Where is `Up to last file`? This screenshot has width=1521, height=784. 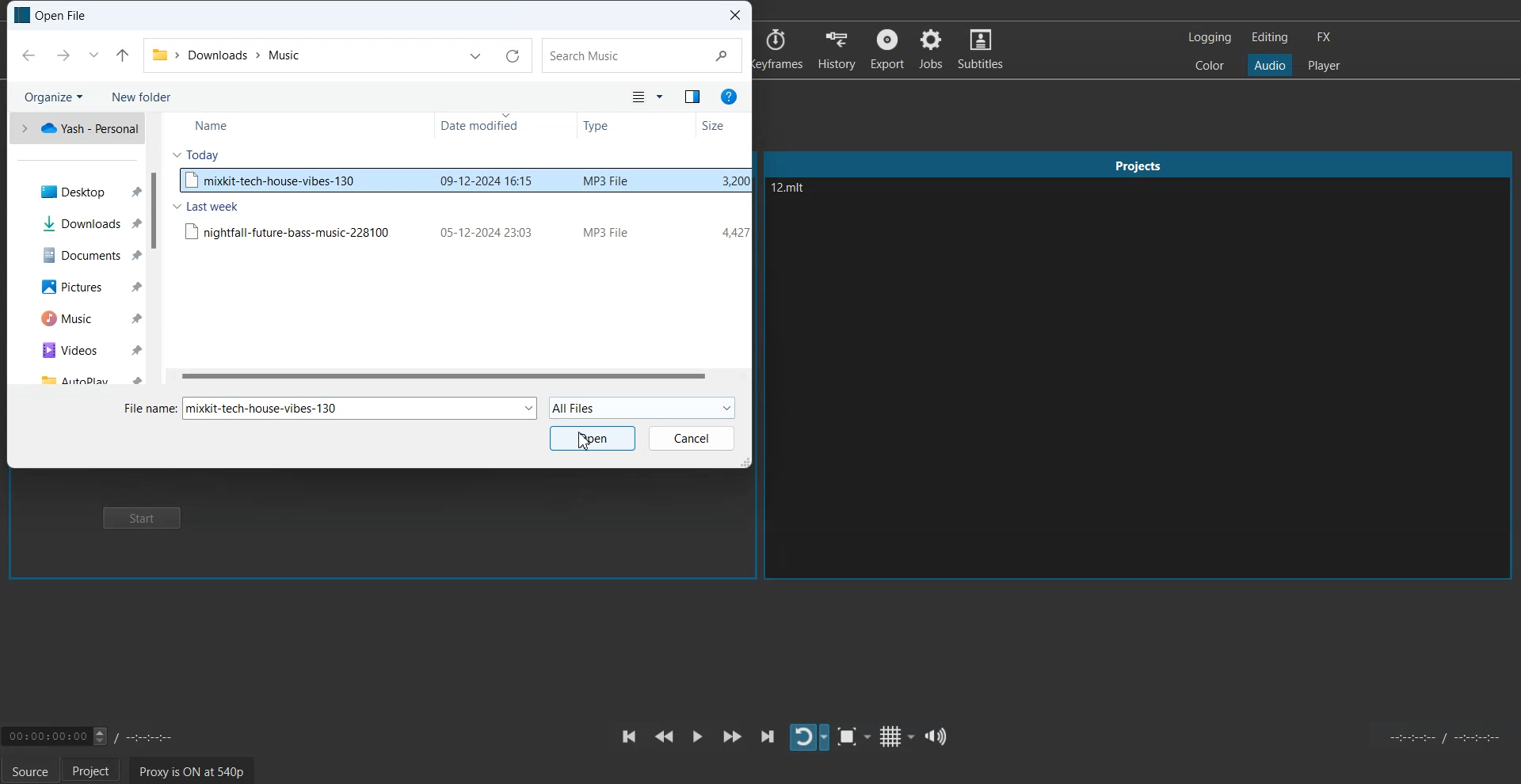
Up to last file is located at coordinates (123, 55).